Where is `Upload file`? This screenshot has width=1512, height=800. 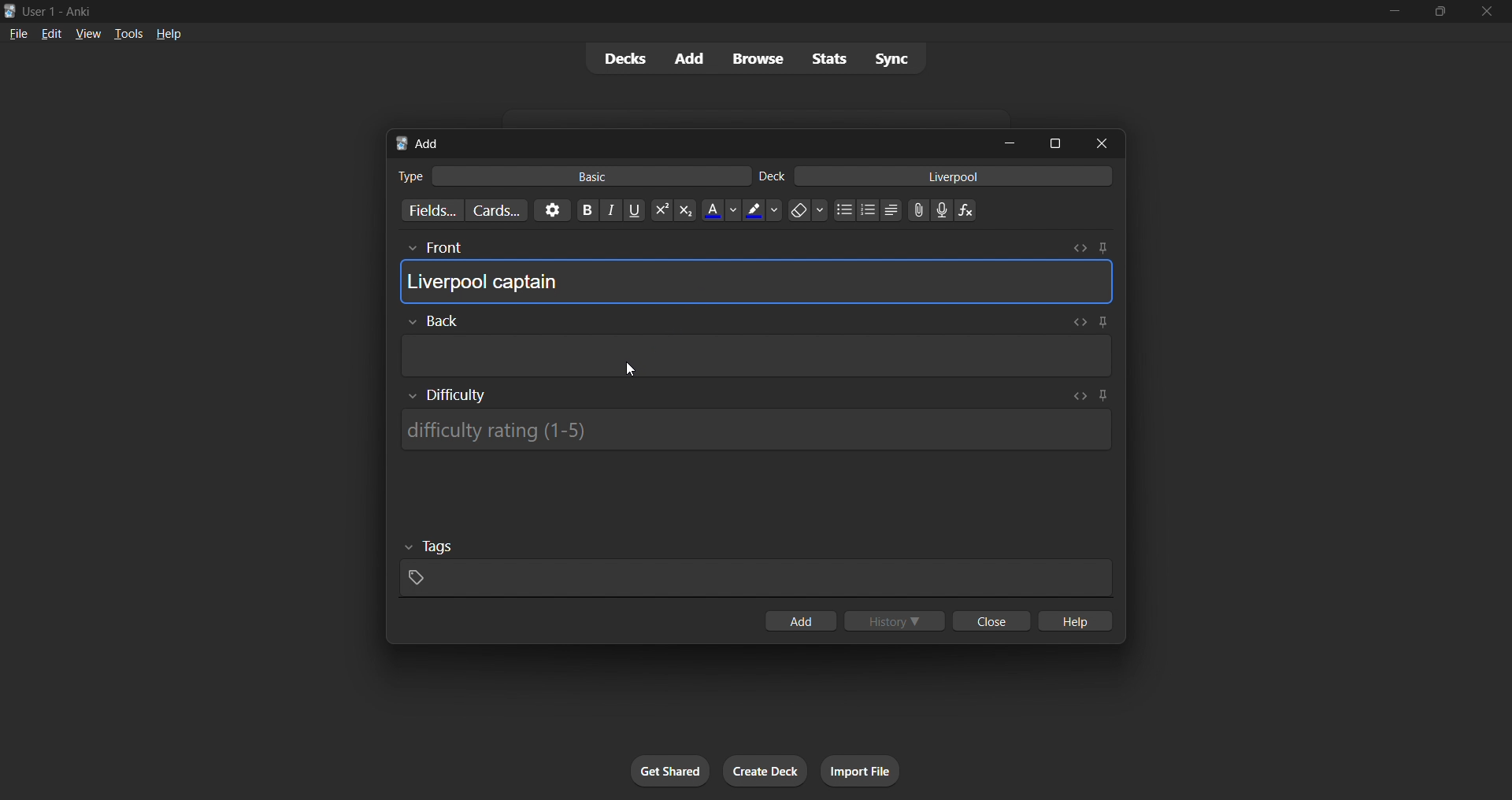 Upload file is located at coordinates (919, 210).